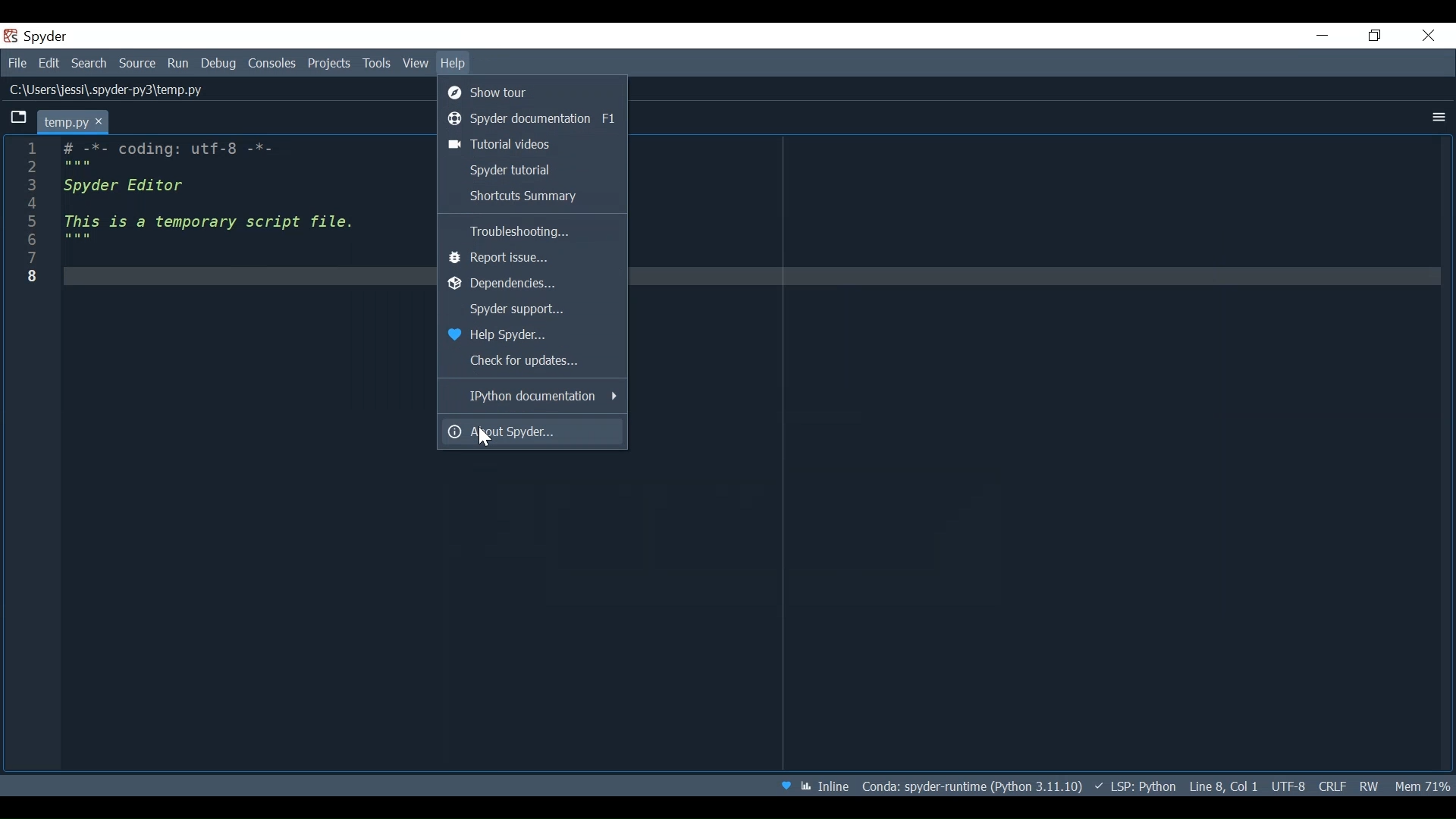 This screenshot has width=1456, height=819. I want to click on Troubleshooting, so click(534, 234).